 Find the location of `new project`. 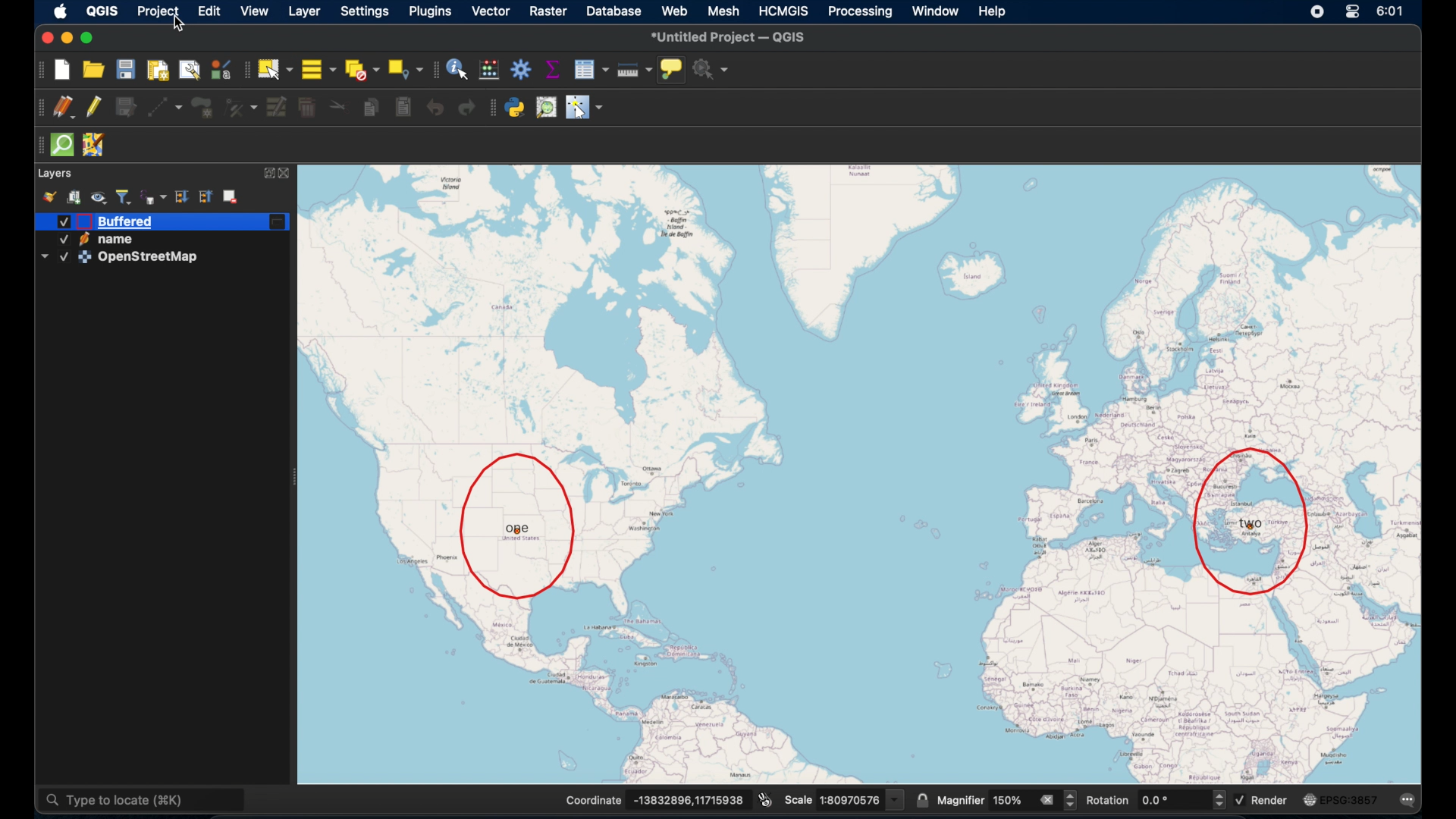

new project is located at coordinates (64, 69).